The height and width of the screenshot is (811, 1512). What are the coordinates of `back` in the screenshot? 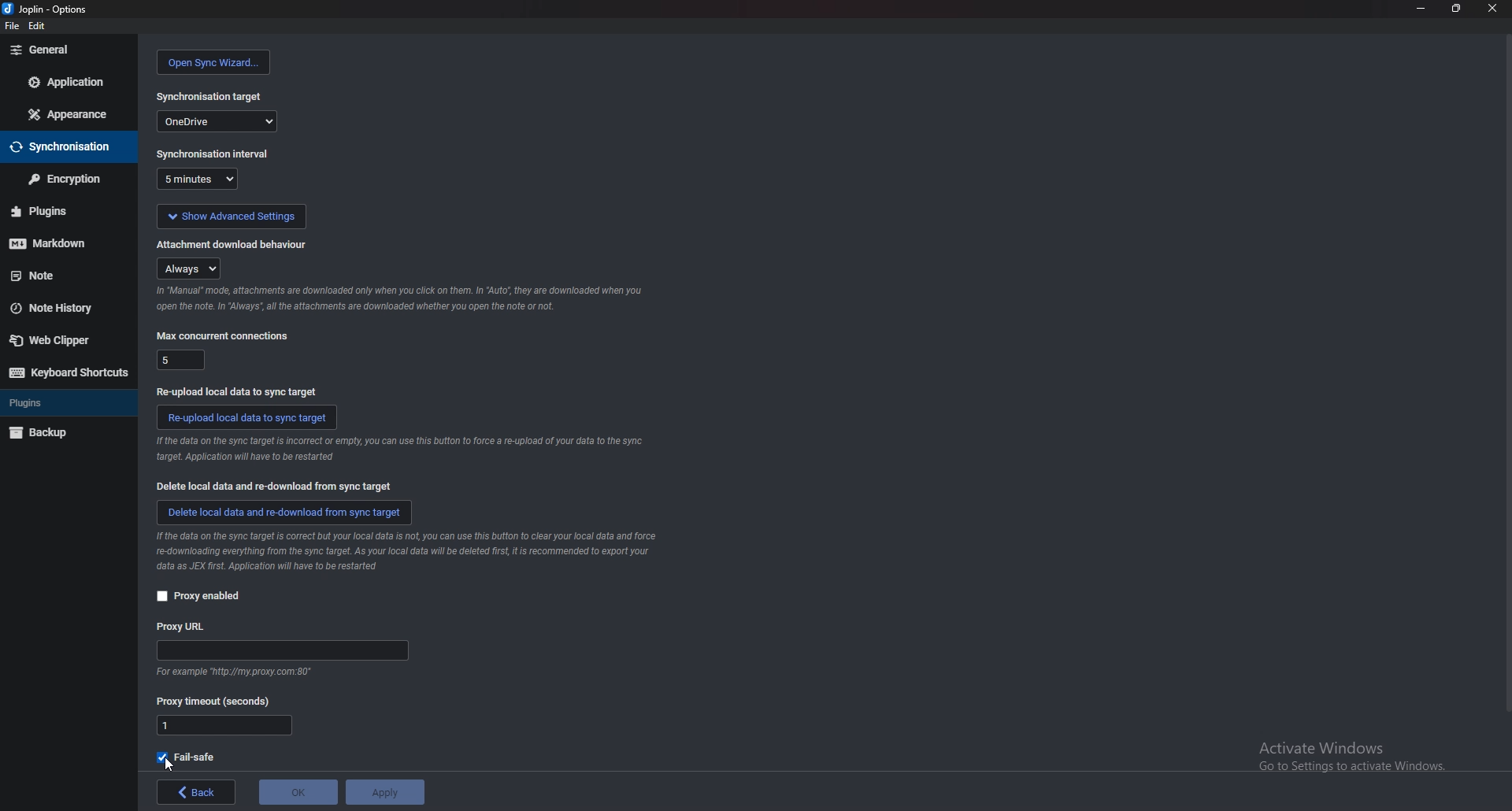 It's located at (198, 793).